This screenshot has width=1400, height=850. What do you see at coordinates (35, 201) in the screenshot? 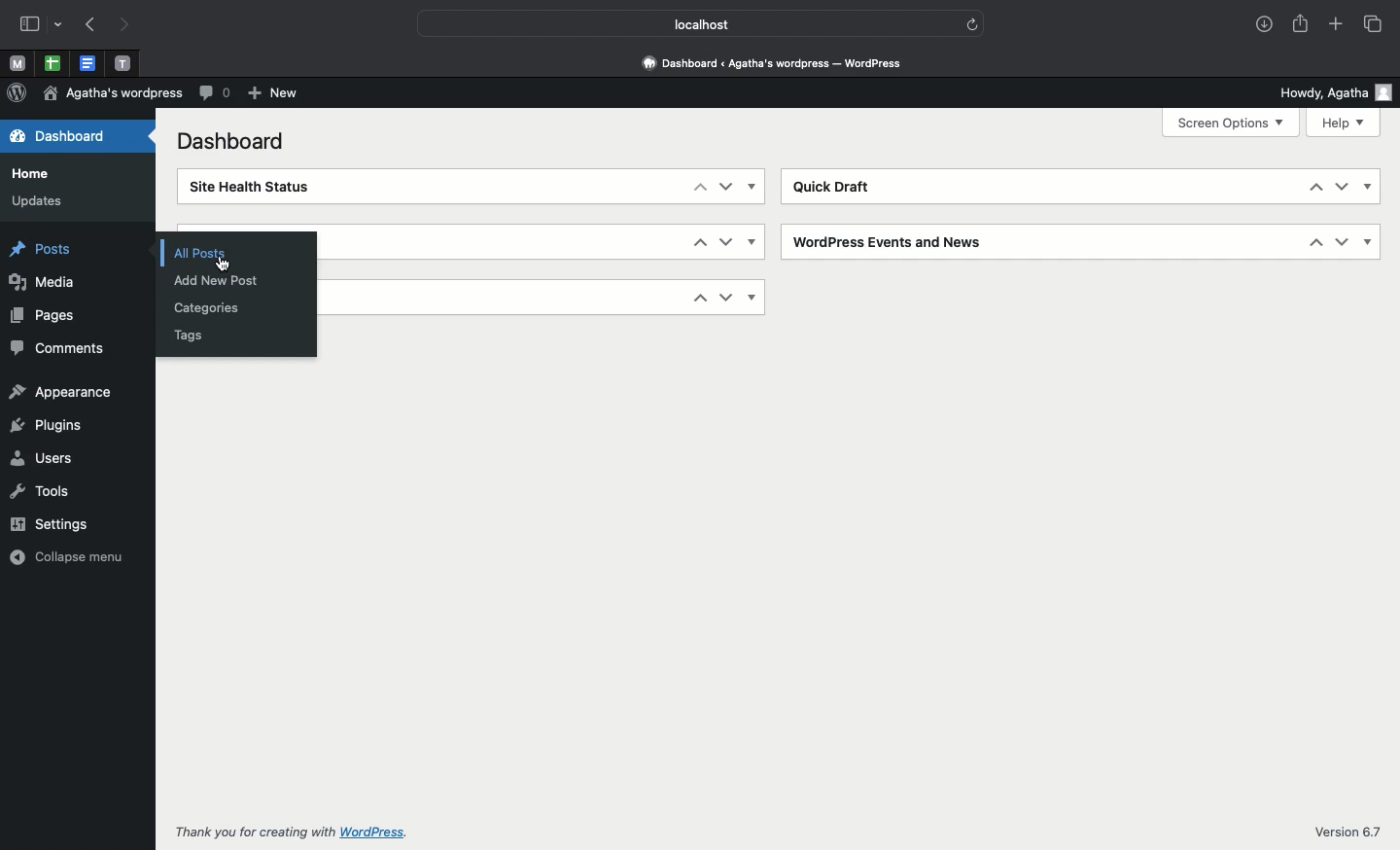
I see `Updates` at bounding box center [35, 201].